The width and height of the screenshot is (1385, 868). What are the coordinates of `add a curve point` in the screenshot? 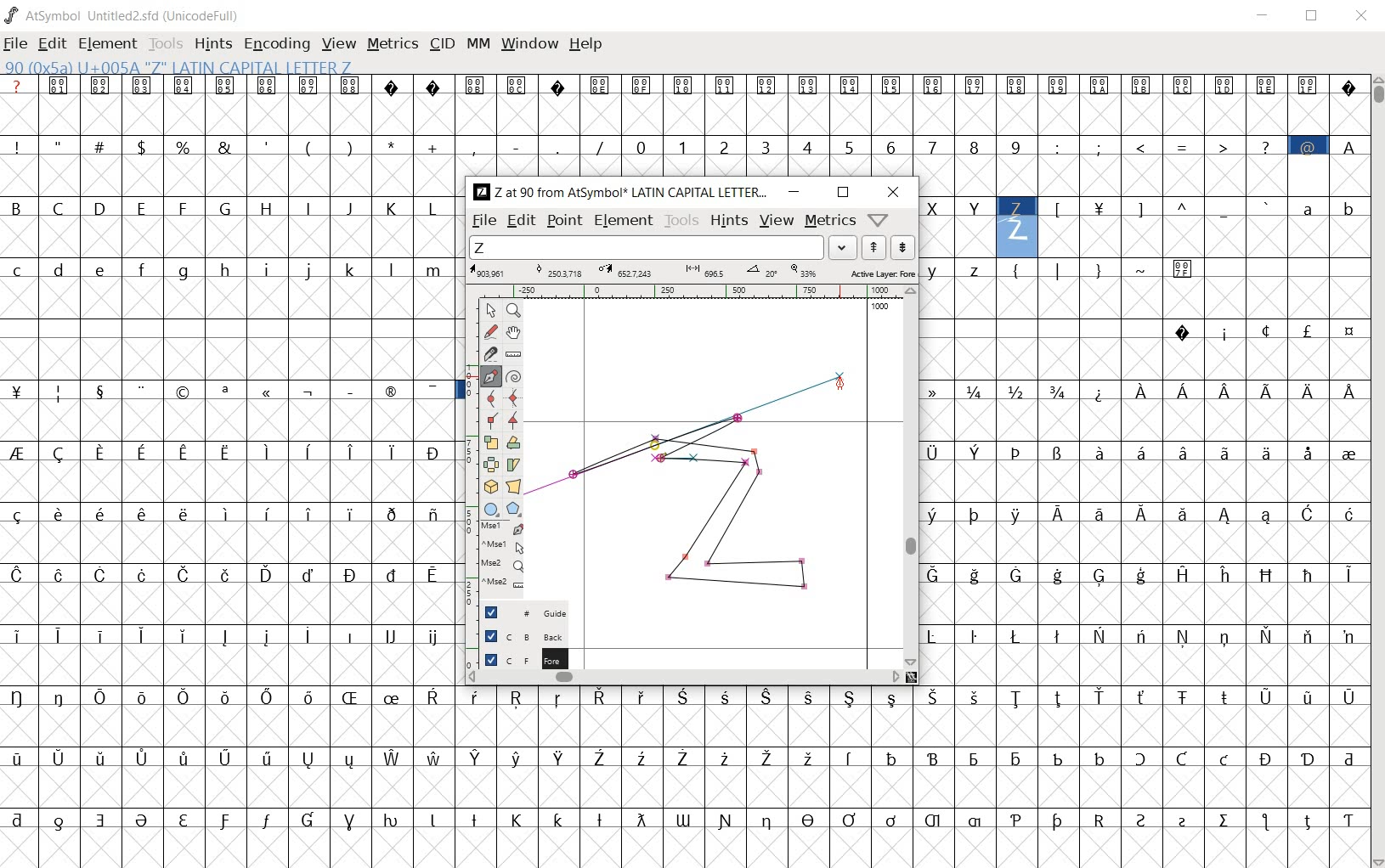 It's located at (489, 398).